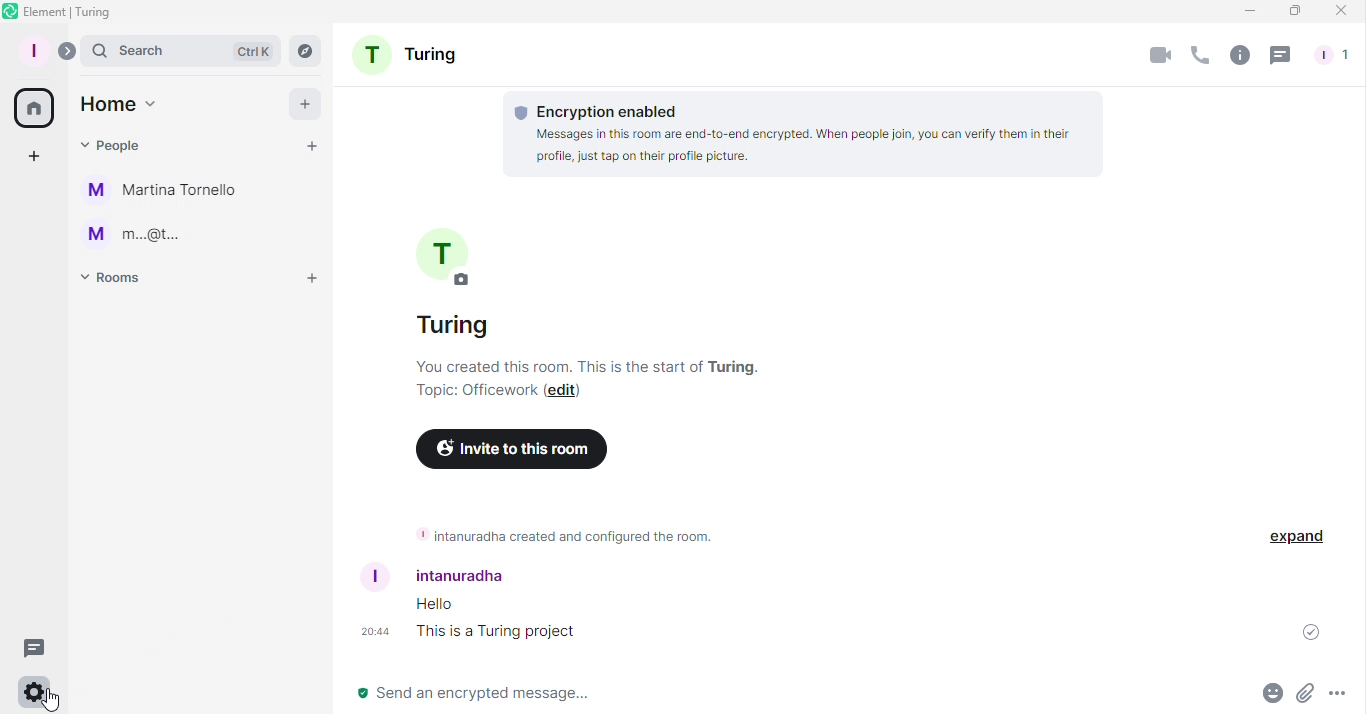 Image resolution: width=1366 pixels, height=714 pixels. I want to click on m...@t..., so click(137, 236).